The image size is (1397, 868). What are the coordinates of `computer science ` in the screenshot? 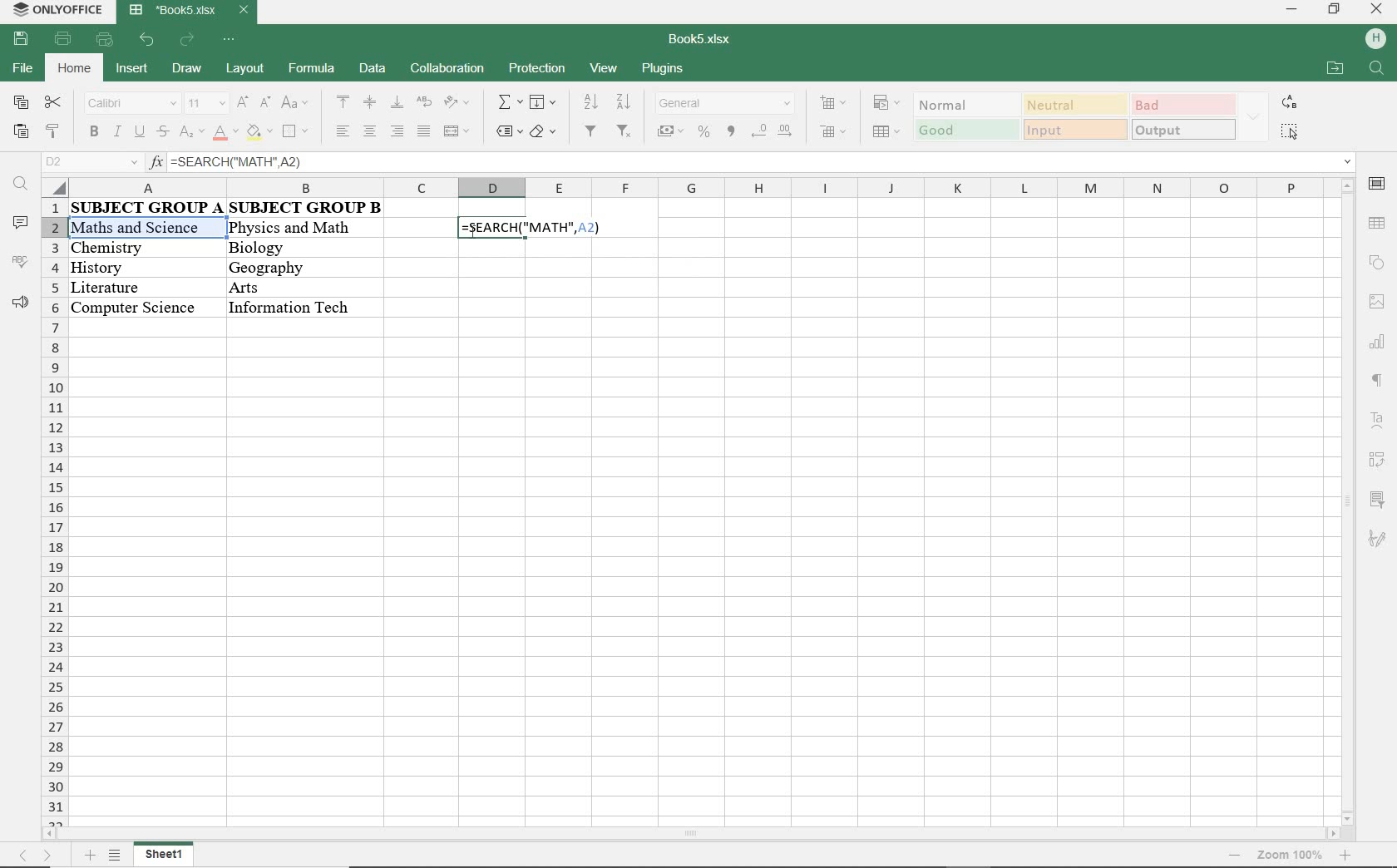 It's located at (134, 306).